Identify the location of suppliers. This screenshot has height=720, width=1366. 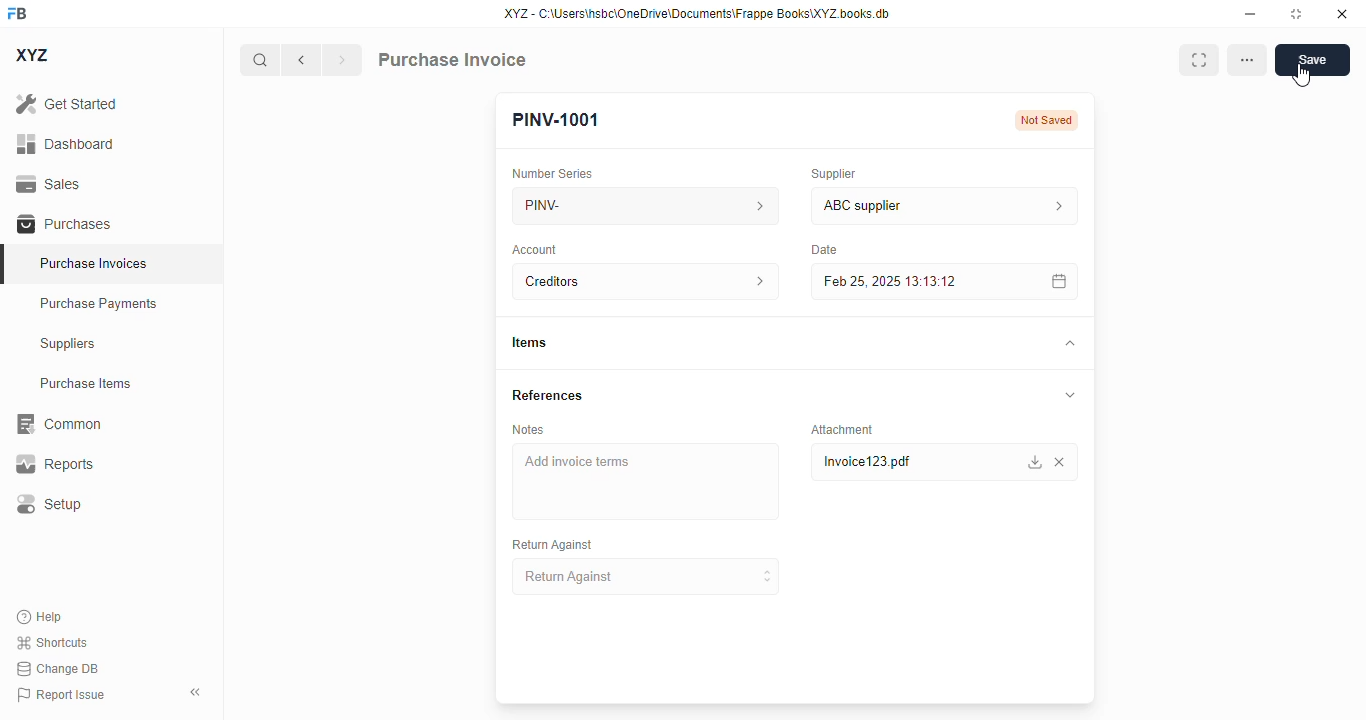
(69, 344).